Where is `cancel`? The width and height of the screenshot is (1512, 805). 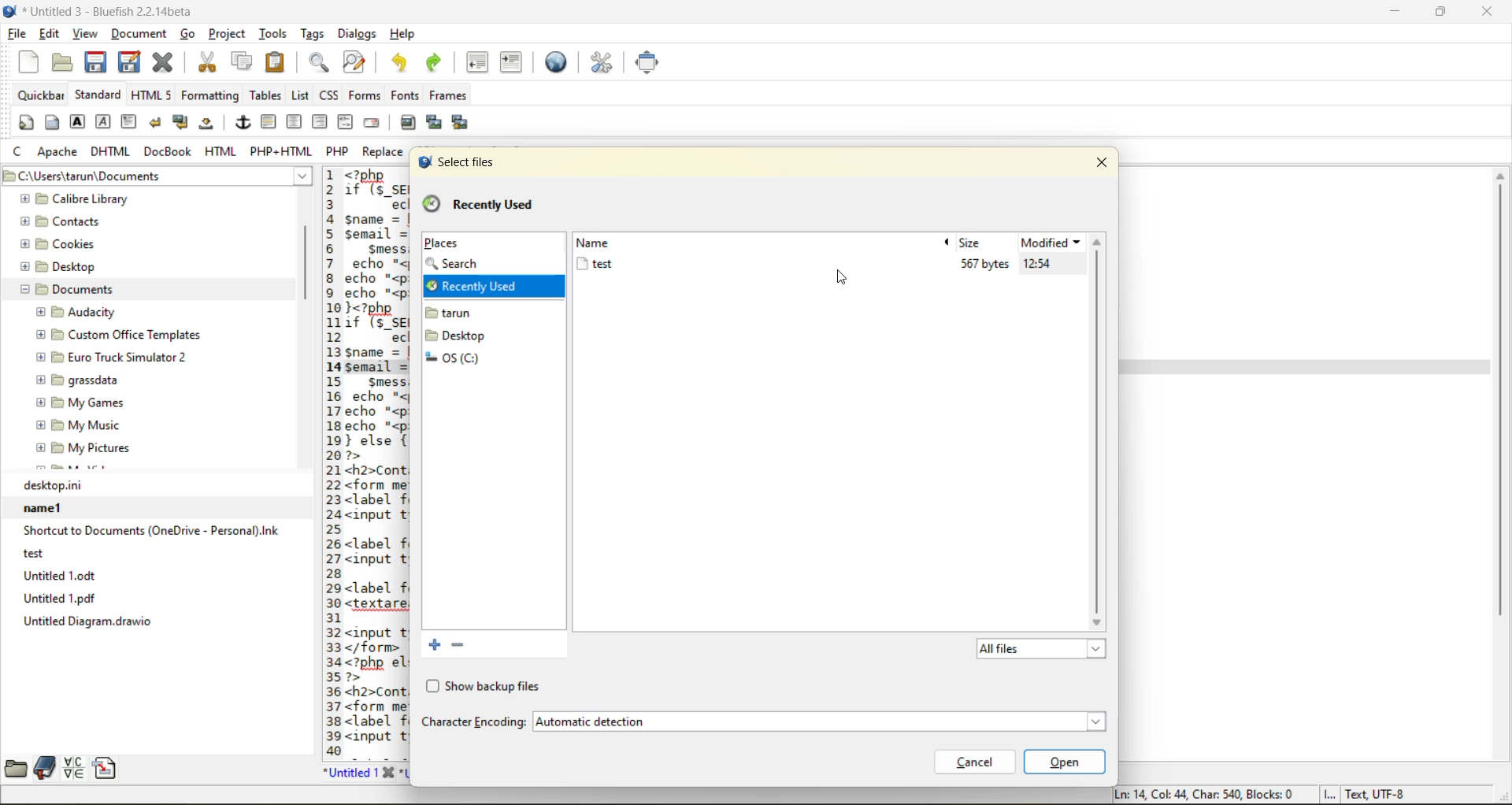 cancel is located at coordinates (973, 762).